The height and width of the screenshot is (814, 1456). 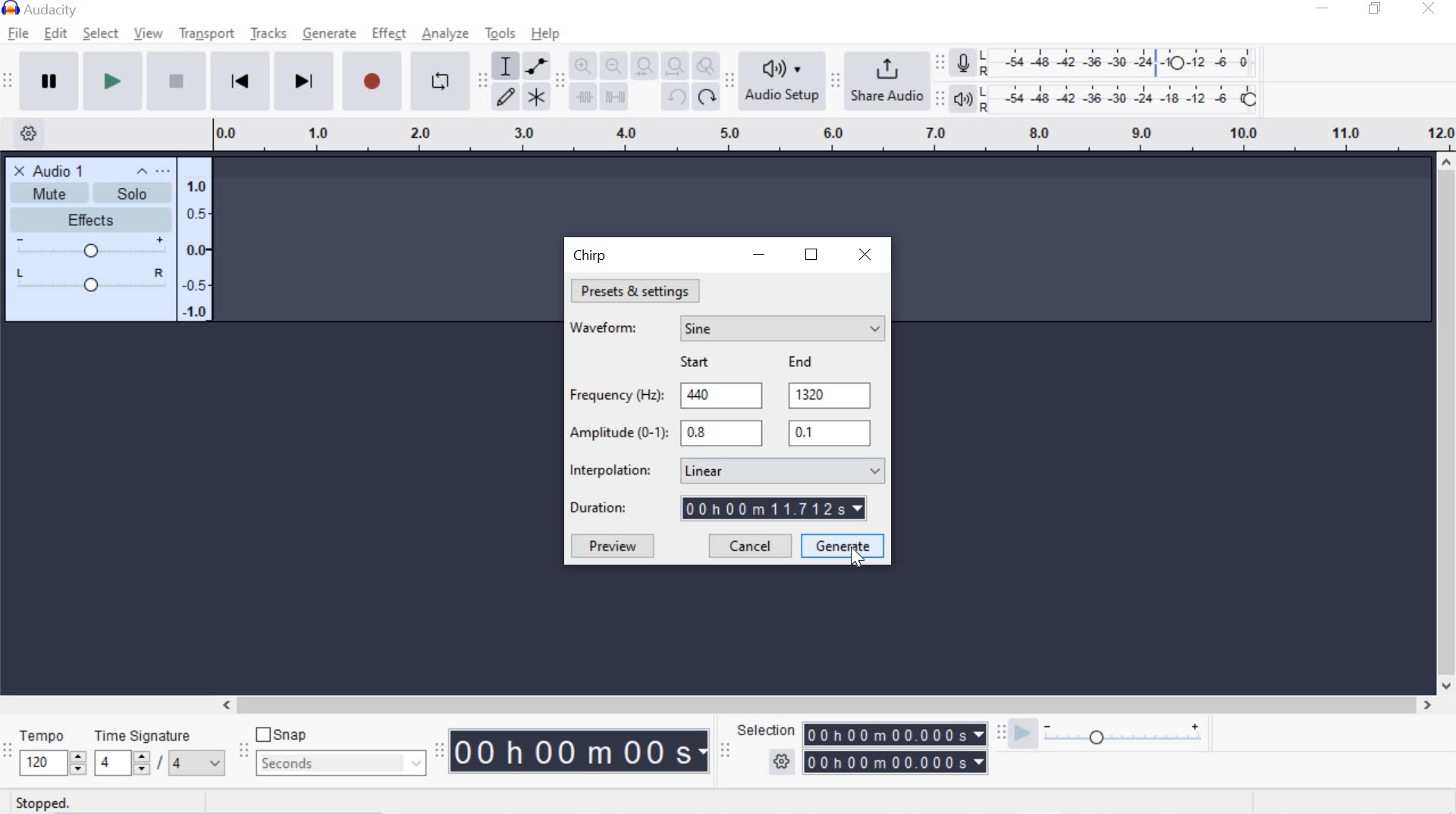 I want to click on close, so click(x=1429, y=8).